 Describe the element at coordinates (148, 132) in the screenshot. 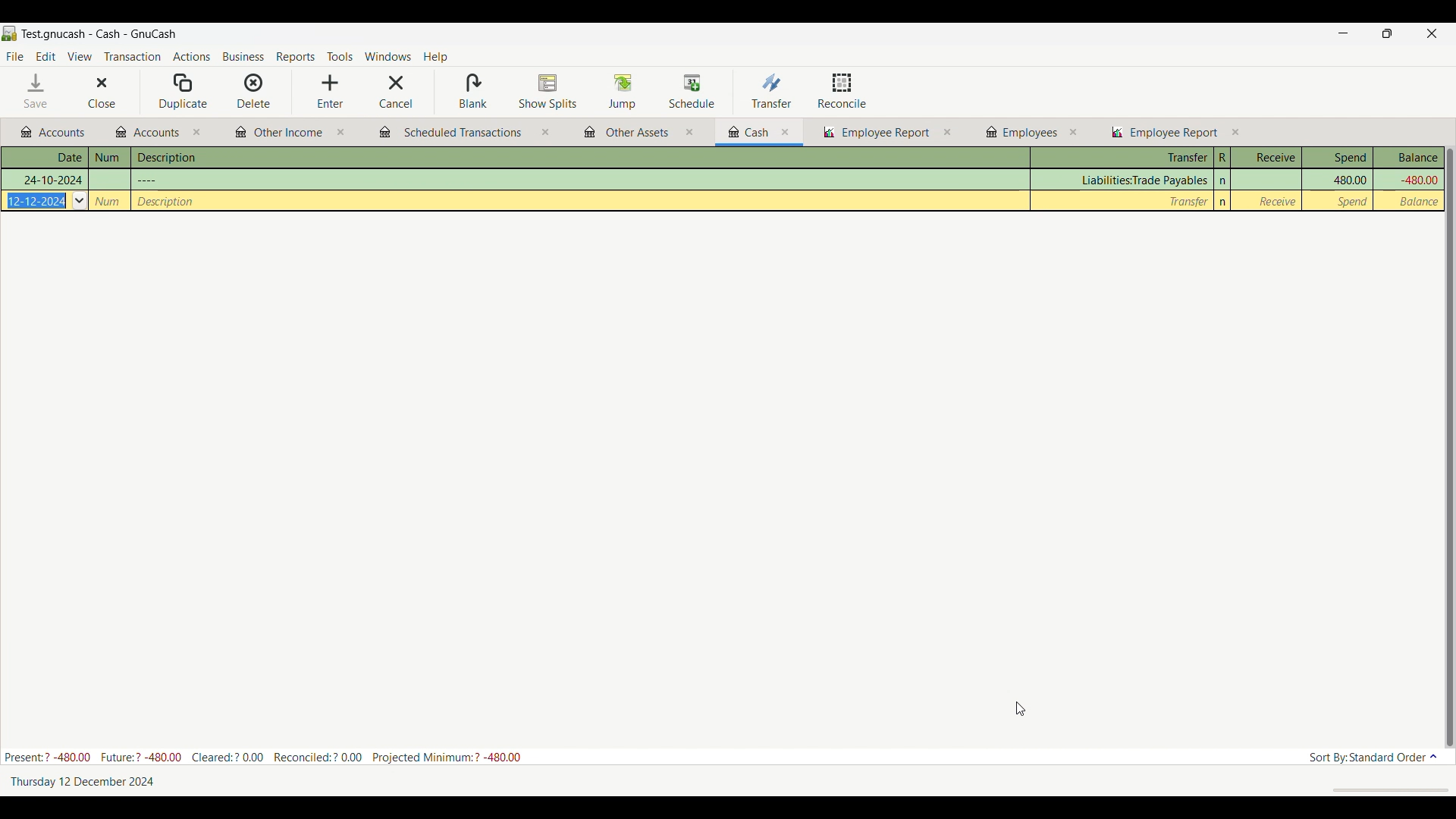

I see `Other budgets and reports` at that location.